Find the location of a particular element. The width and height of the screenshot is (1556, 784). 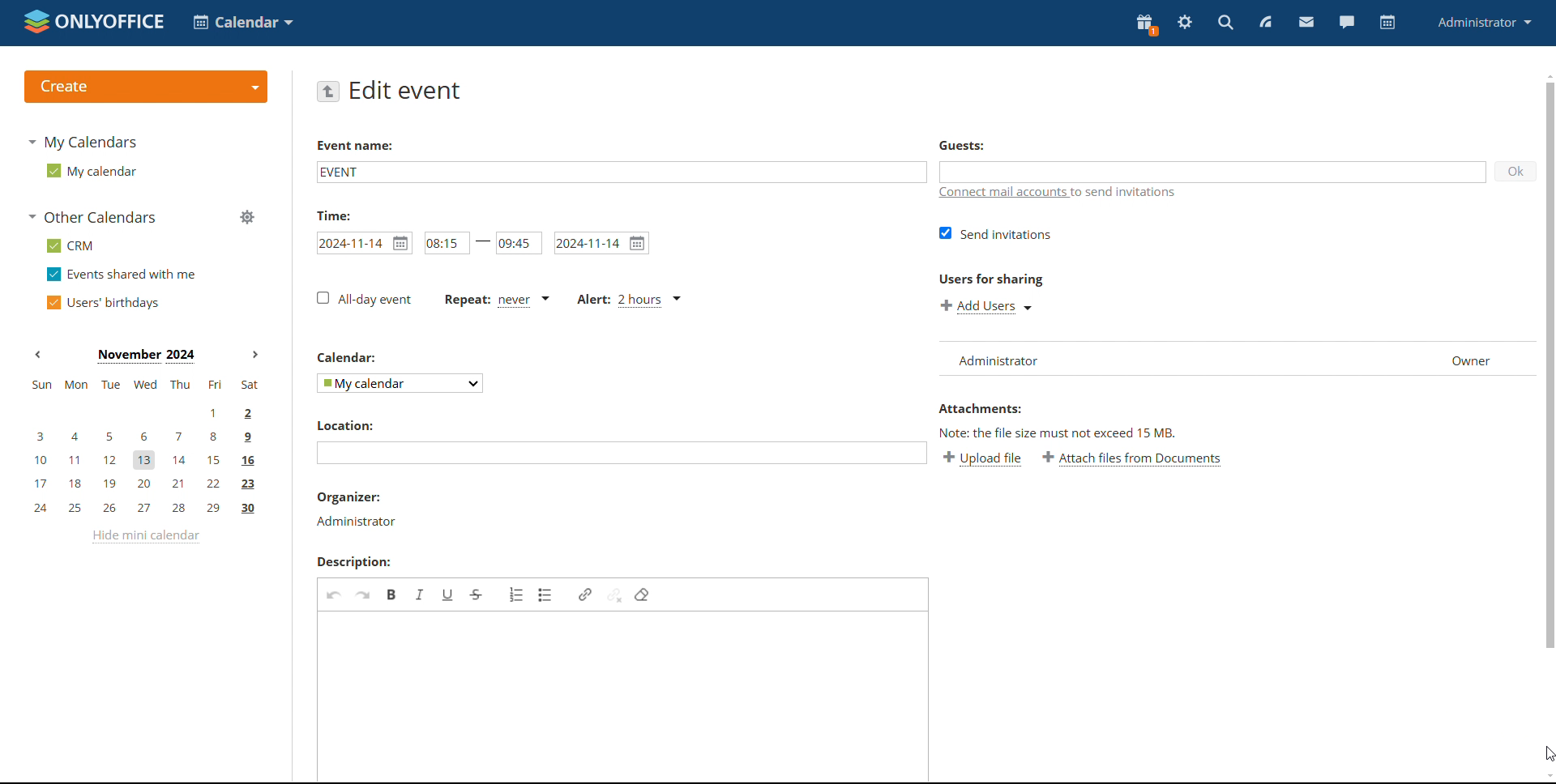

underline is located at coordinates (448, 594).